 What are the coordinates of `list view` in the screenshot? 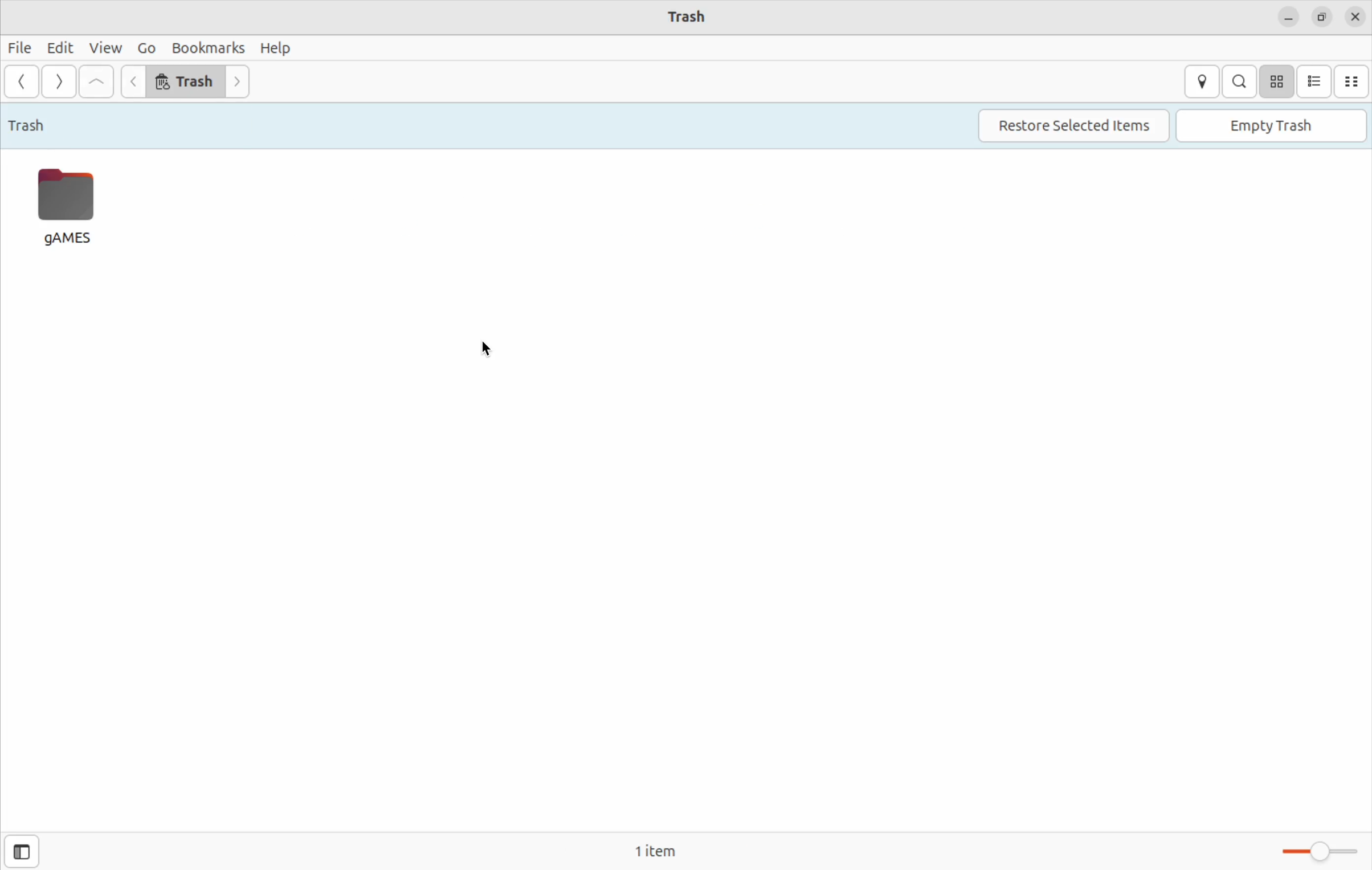 It's located at (1315, 81).